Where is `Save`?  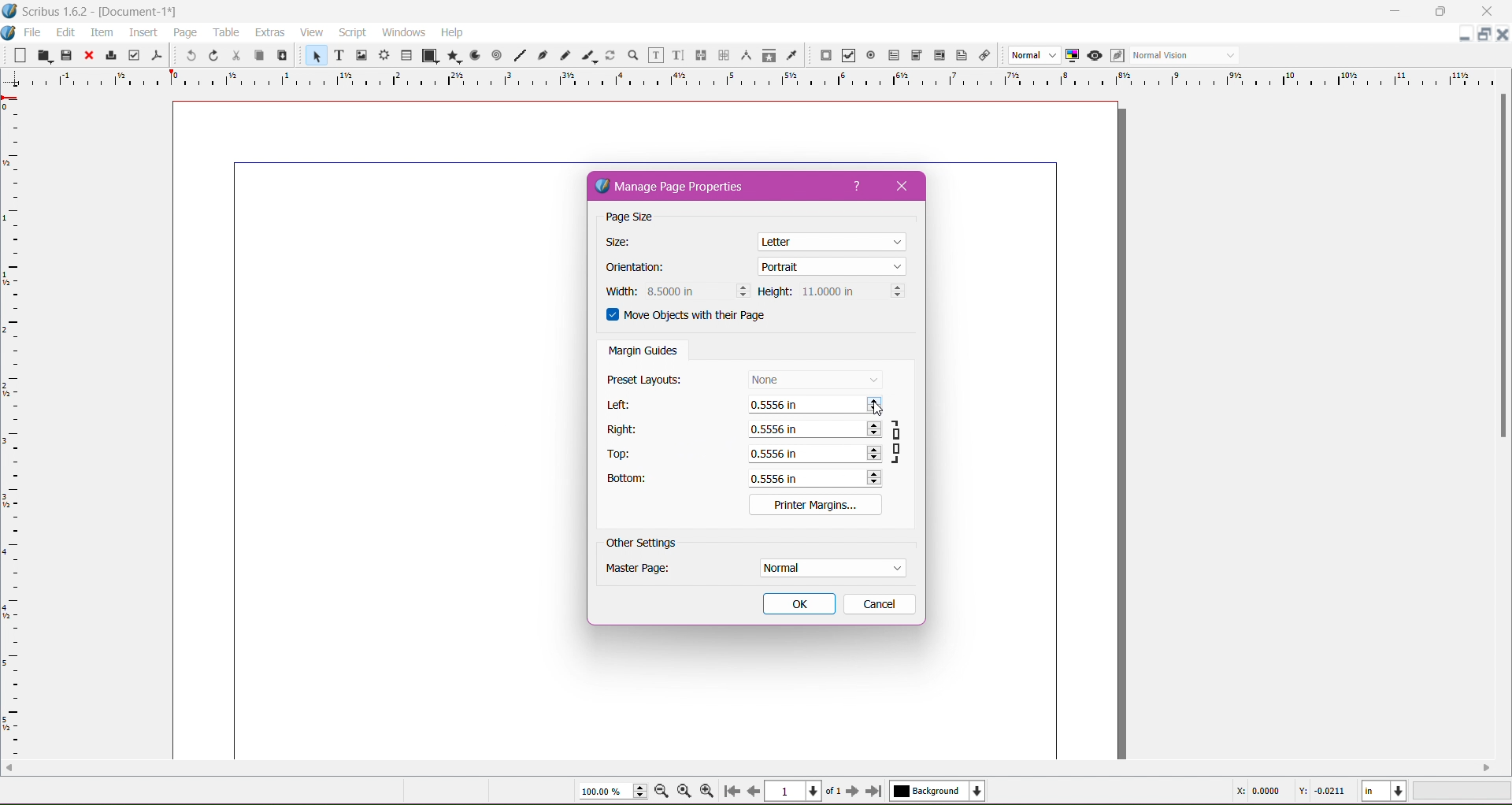
Save is located at coordinates (67, 54).